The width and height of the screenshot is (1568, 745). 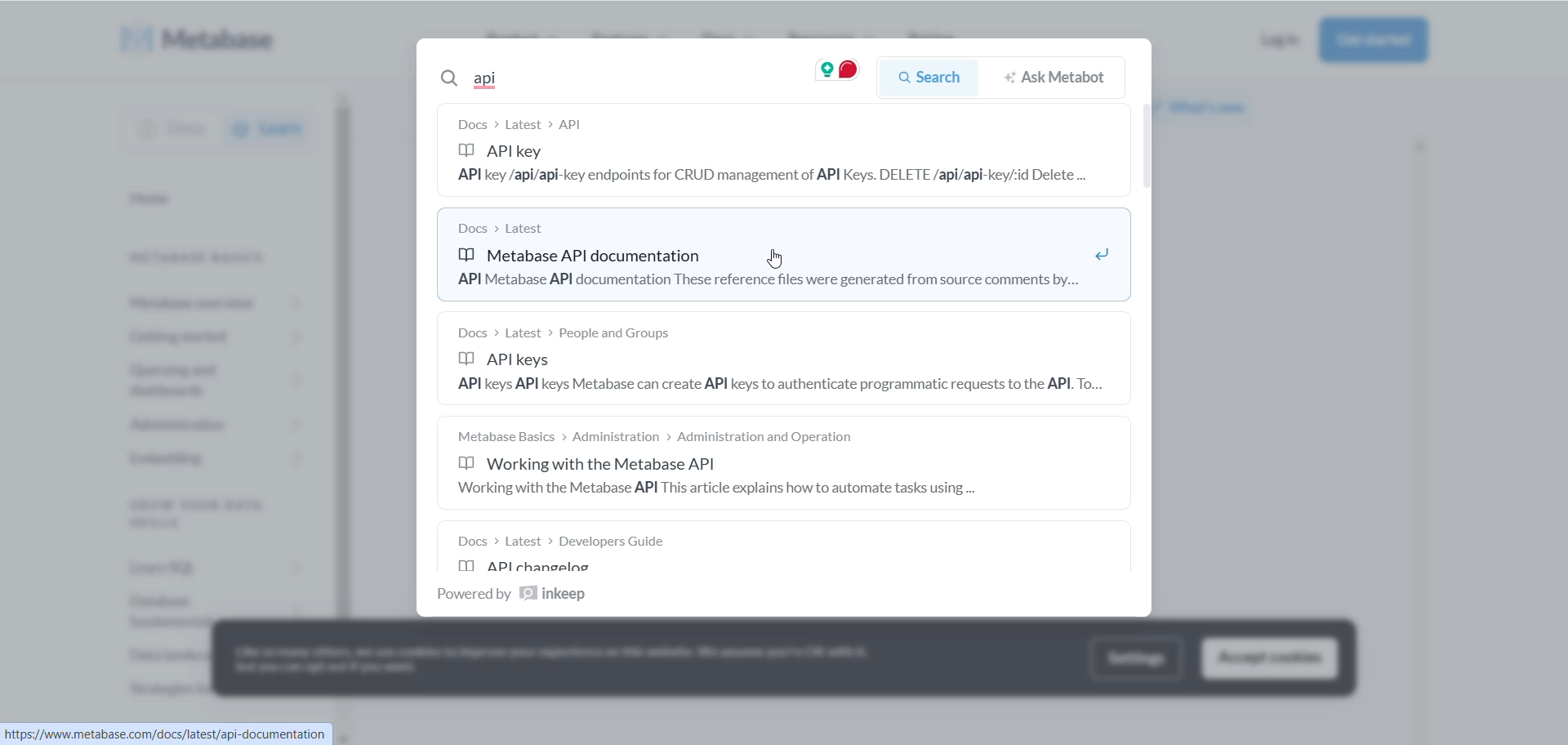 I want to click on search text, so click(x=492, y=81).